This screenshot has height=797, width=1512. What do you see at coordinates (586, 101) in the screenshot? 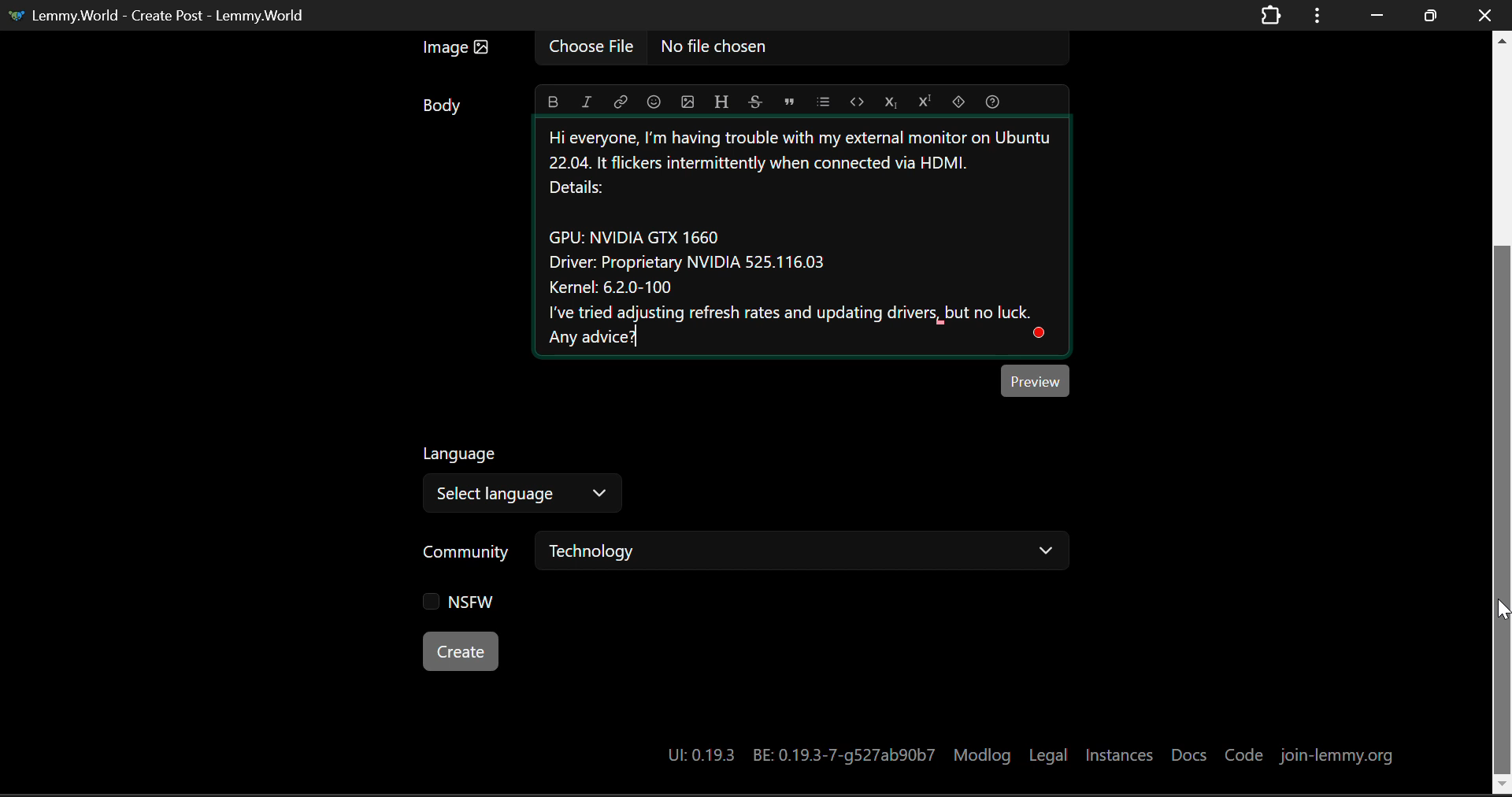
I see `Italic` at bounding box center [586, 101].